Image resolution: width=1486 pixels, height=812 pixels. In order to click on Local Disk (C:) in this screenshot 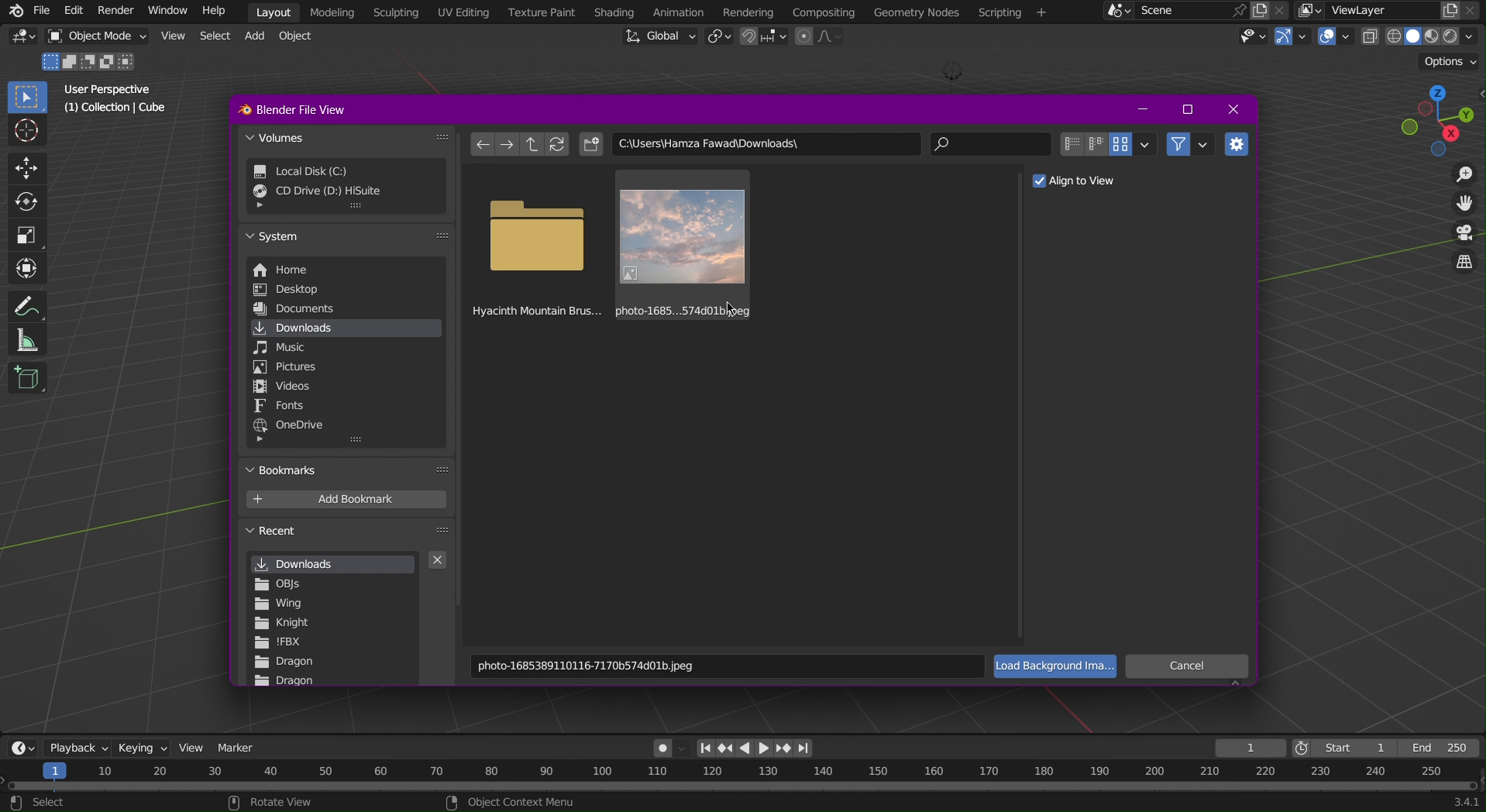, I will do `click(335, 172)`.